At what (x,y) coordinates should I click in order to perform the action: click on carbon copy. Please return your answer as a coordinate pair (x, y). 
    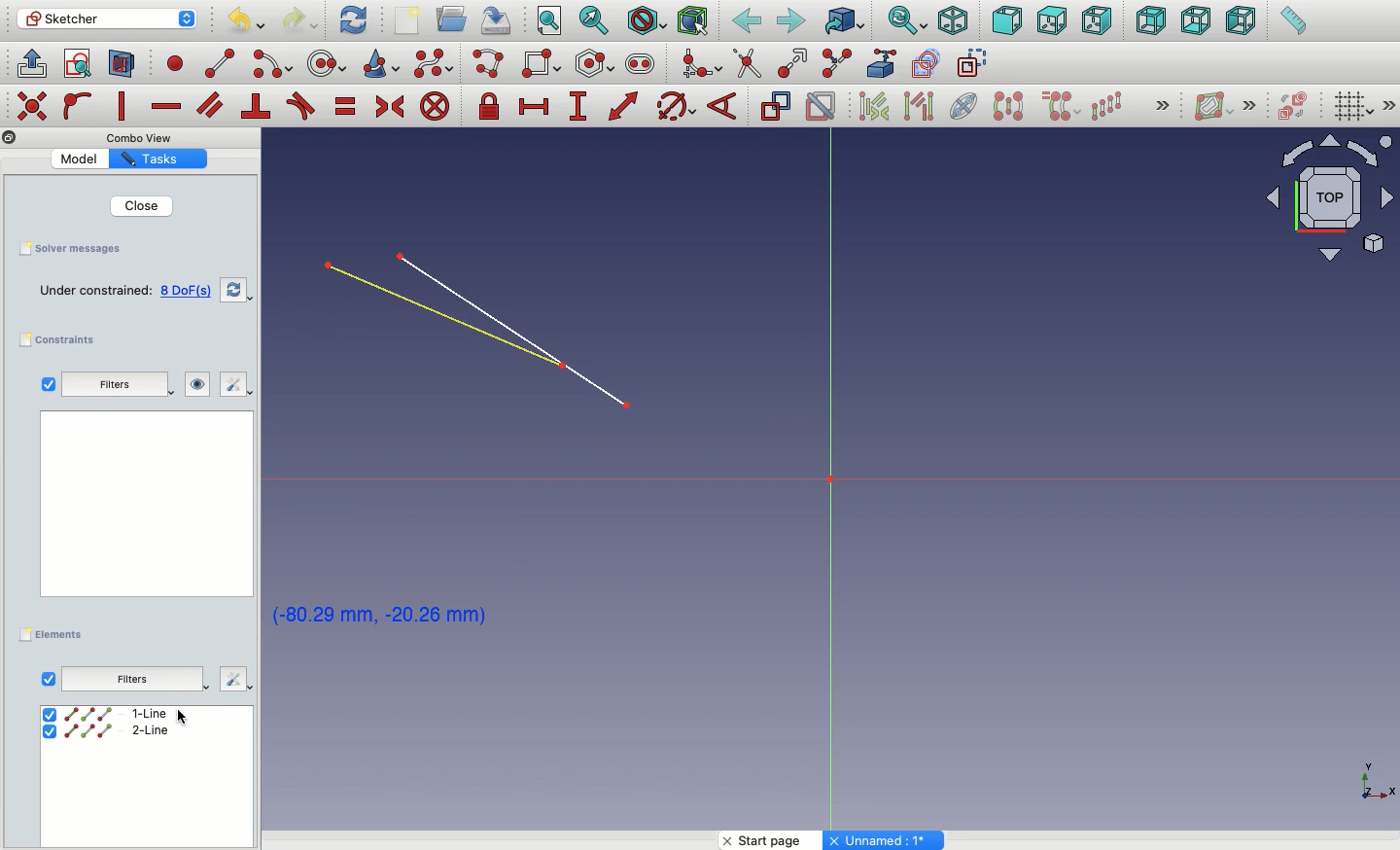
    Looking at the image, I should click on (929, 64).